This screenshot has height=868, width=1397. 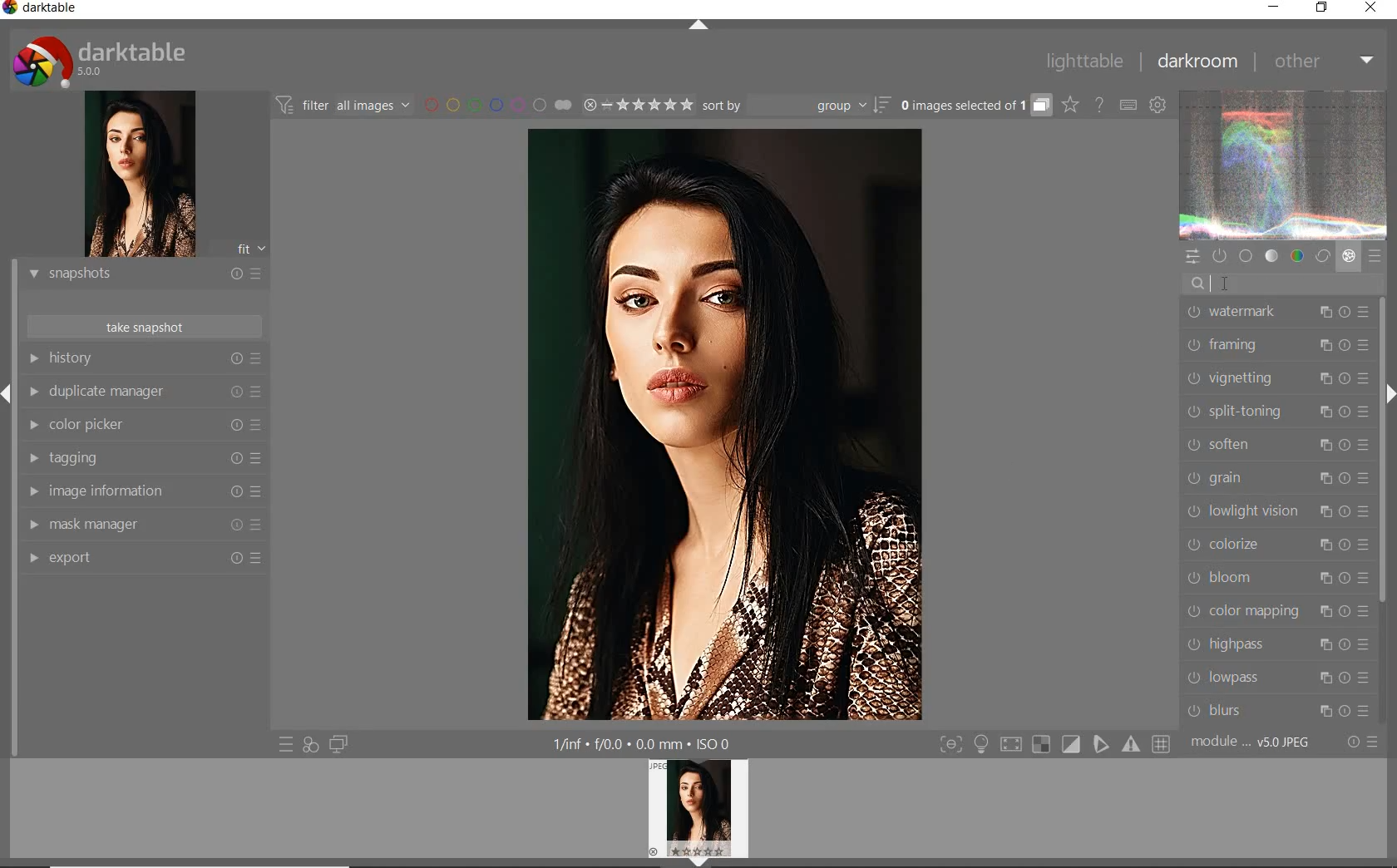 What do you see at coordinates (983, 745) in the screenshot?
I see `light sign ` at bounding box center [983, 745].